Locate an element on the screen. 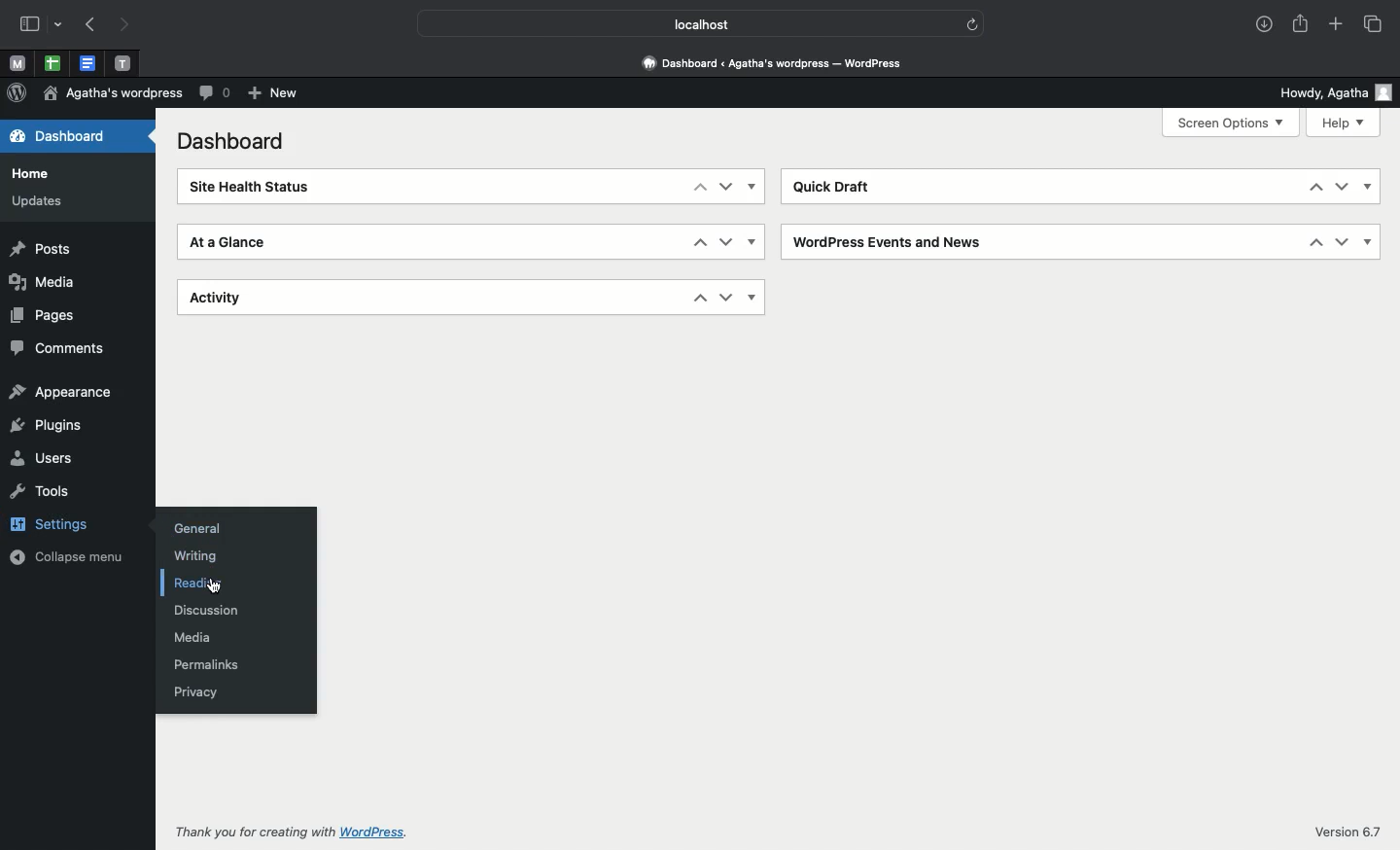 The width and height of the screenshot is (1400, 850). Download is located at coordinates (1266, 24).